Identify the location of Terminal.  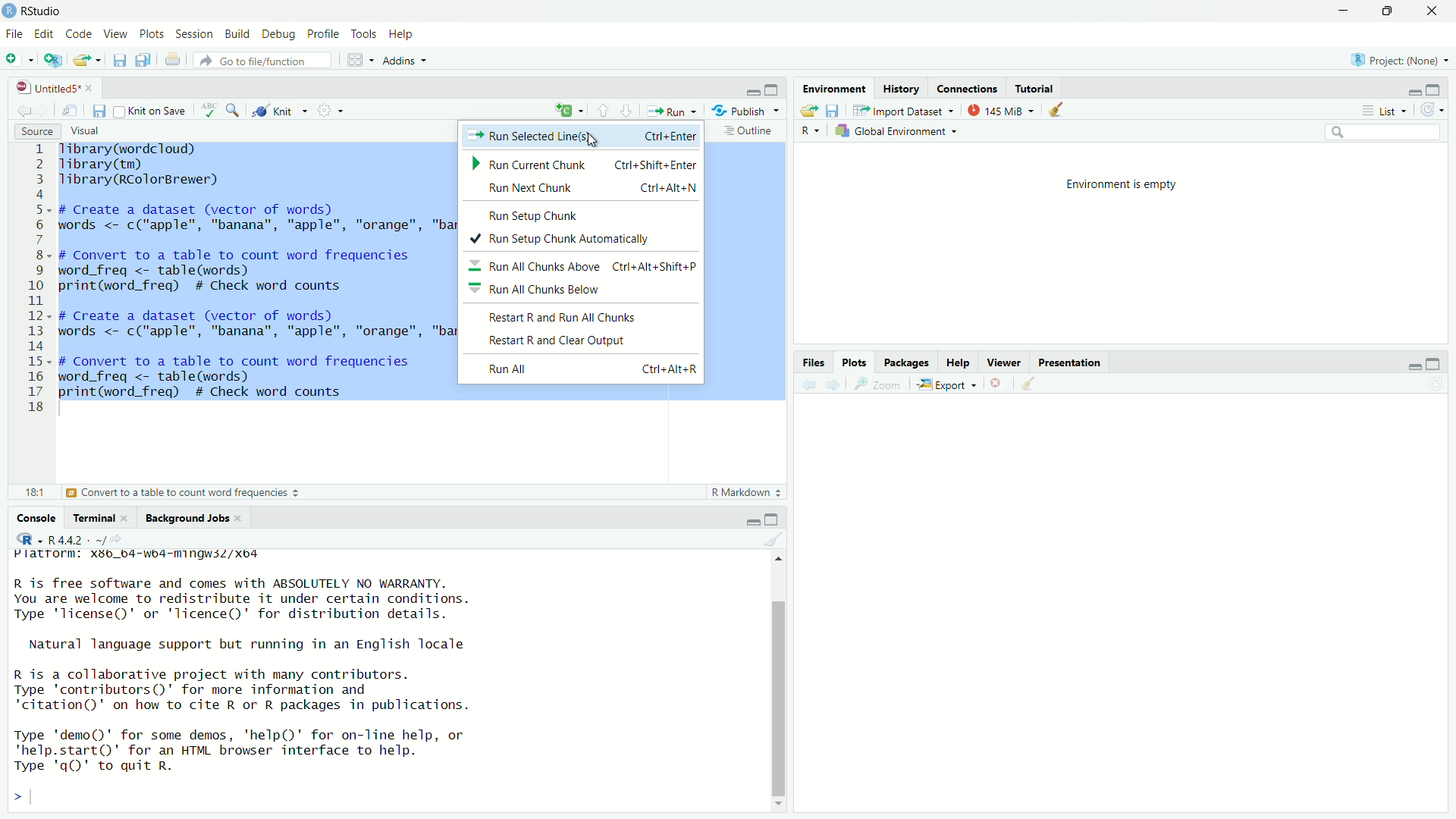
(104, 518).